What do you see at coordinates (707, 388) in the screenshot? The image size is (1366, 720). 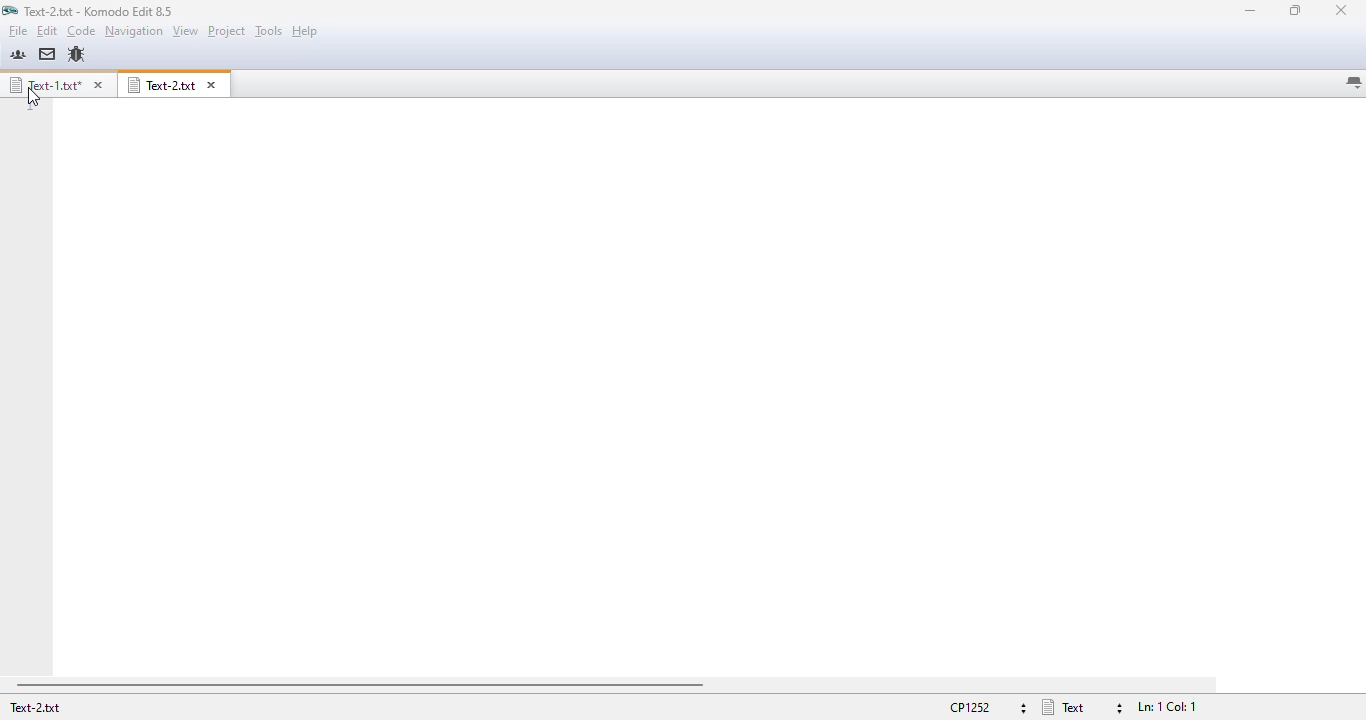 I see `editor/workspace` at bounding box center [707, 388].